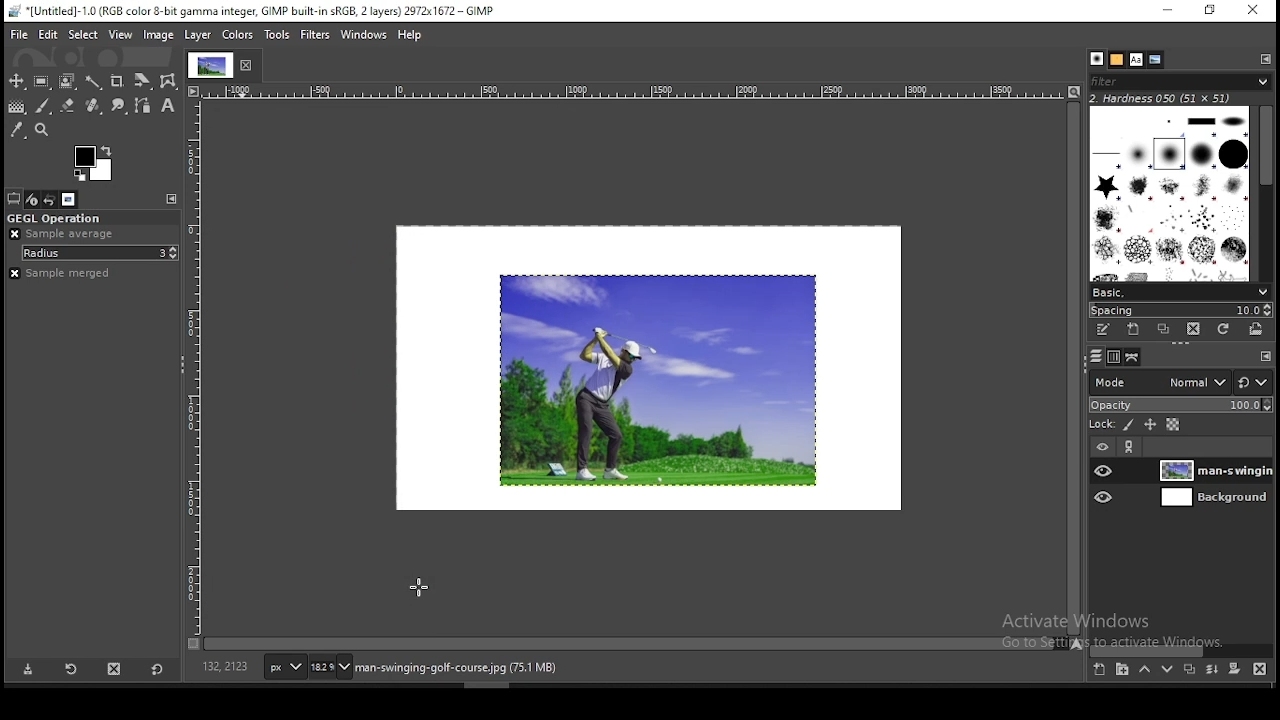  What do you see at coordinates (1128, 425) in the screenshot?
I see `lock pixels` at bounding box center [1128, 425].